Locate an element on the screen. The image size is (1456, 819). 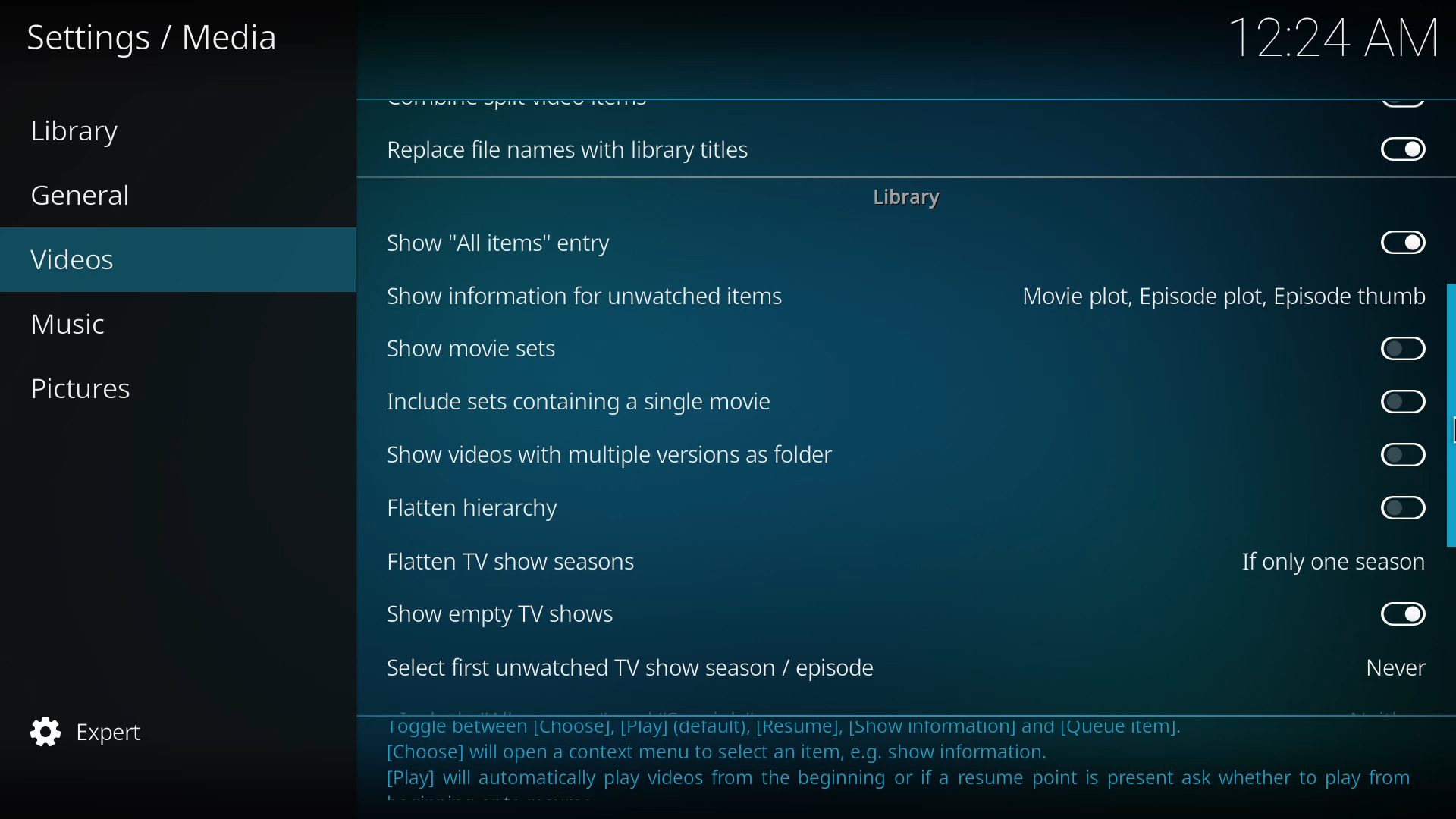
info is located at coordinates (910, 760).